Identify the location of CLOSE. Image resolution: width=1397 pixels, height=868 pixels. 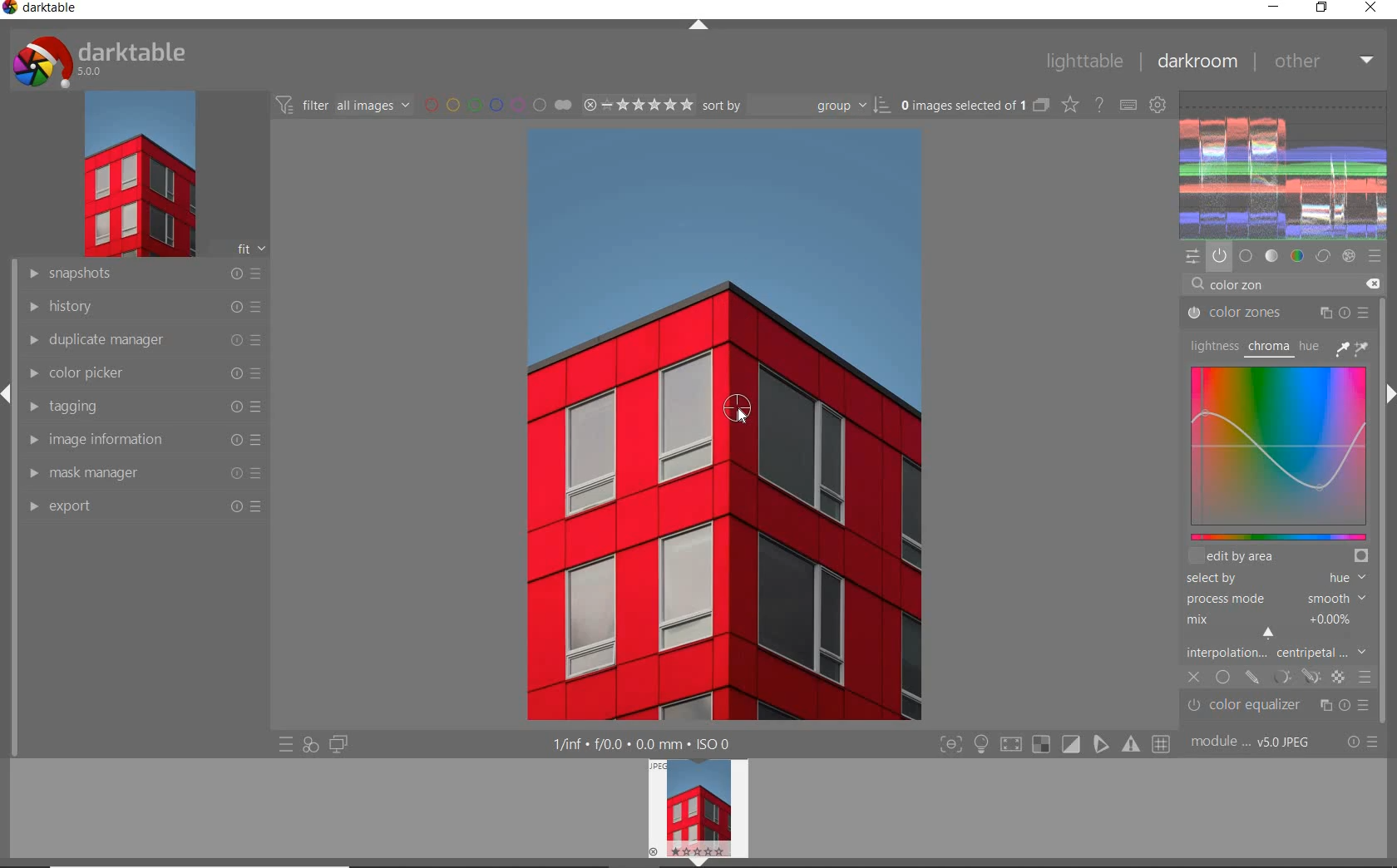
(1194, 678).